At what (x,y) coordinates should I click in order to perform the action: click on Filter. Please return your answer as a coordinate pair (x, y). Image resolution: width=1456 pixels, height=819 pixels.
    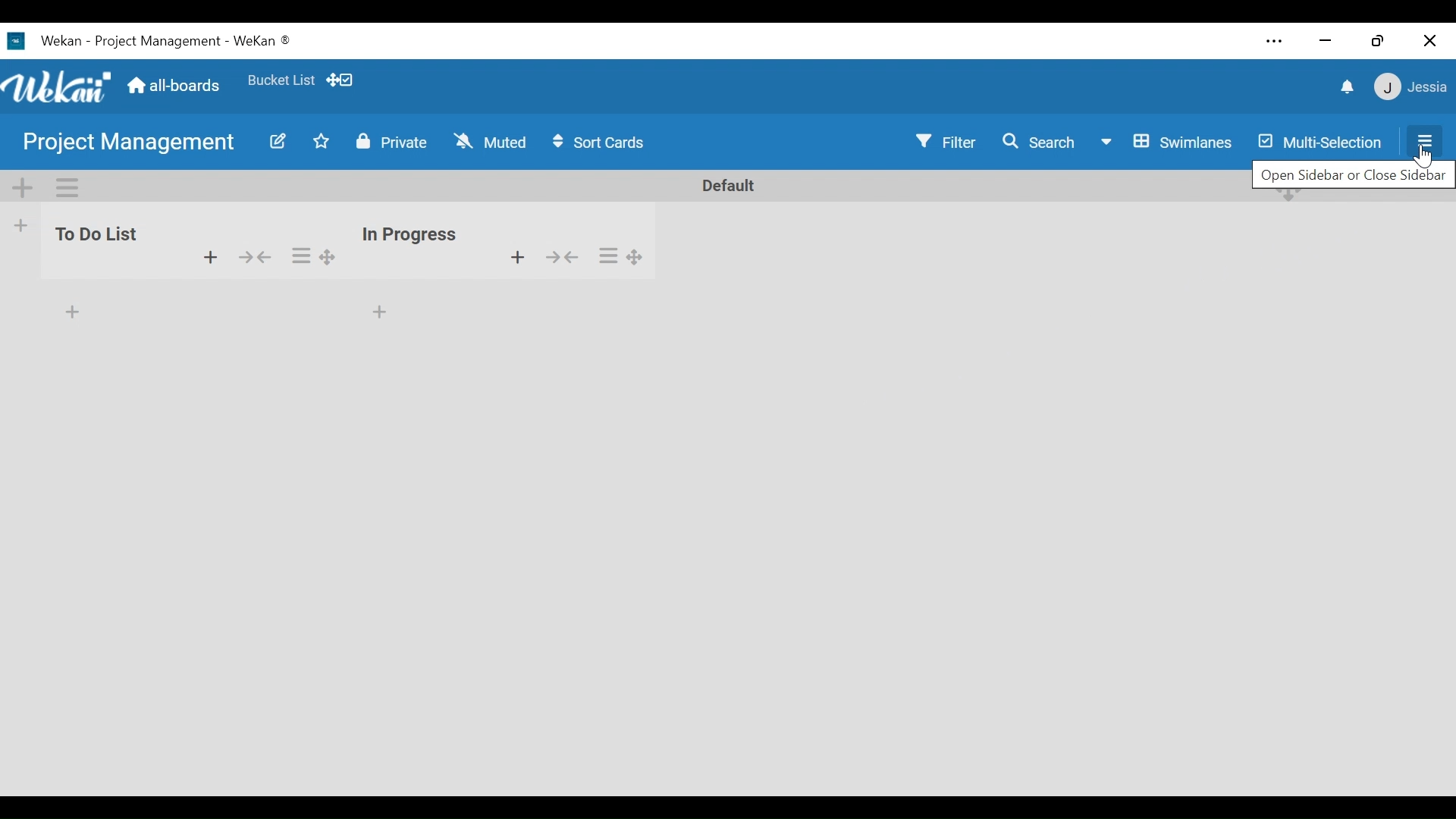
    Looking at the image, I should click on (946, 142).